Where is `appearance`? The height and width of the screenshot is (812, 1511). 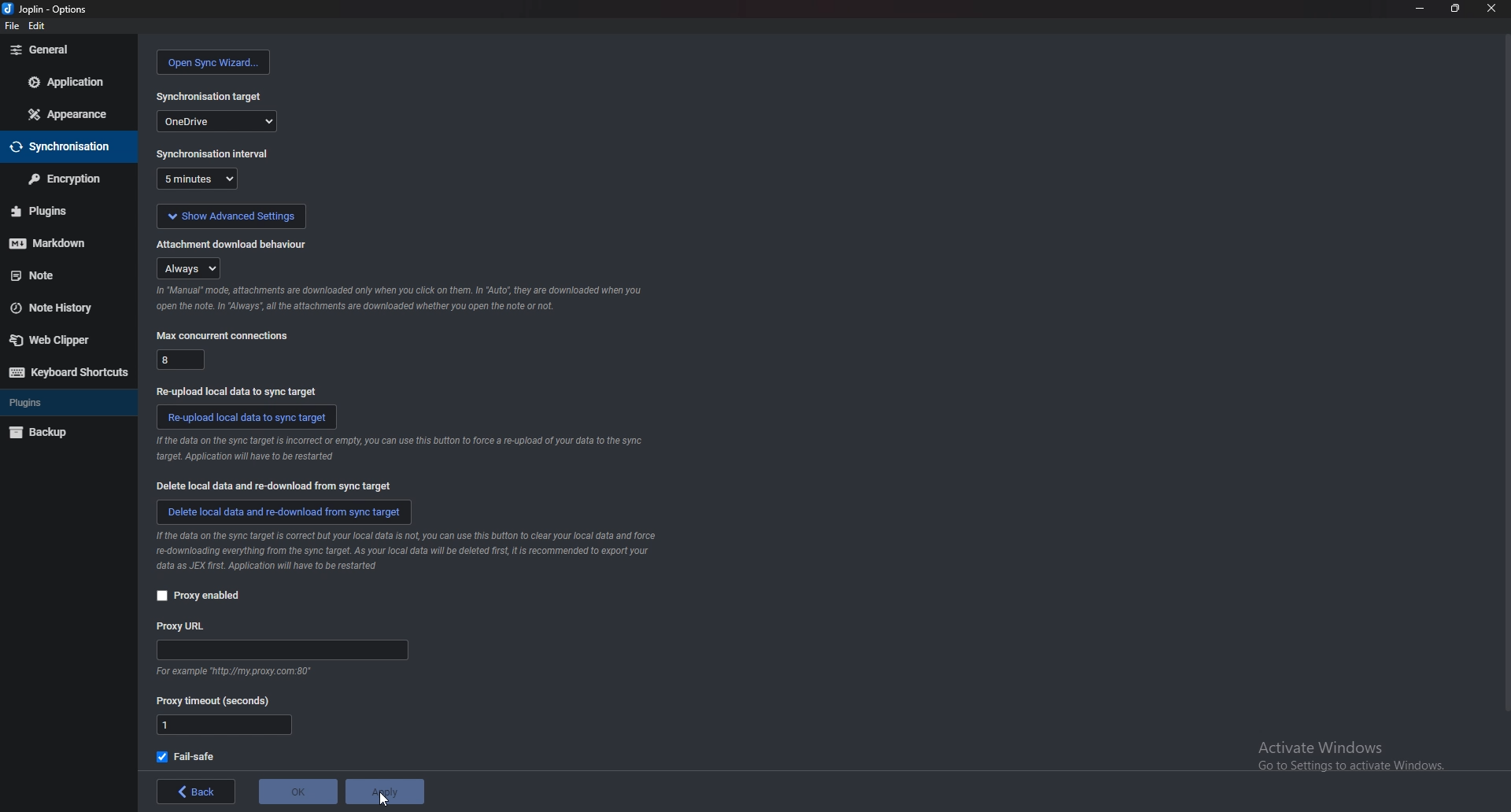 appearance is located at coordinates (68, 114).